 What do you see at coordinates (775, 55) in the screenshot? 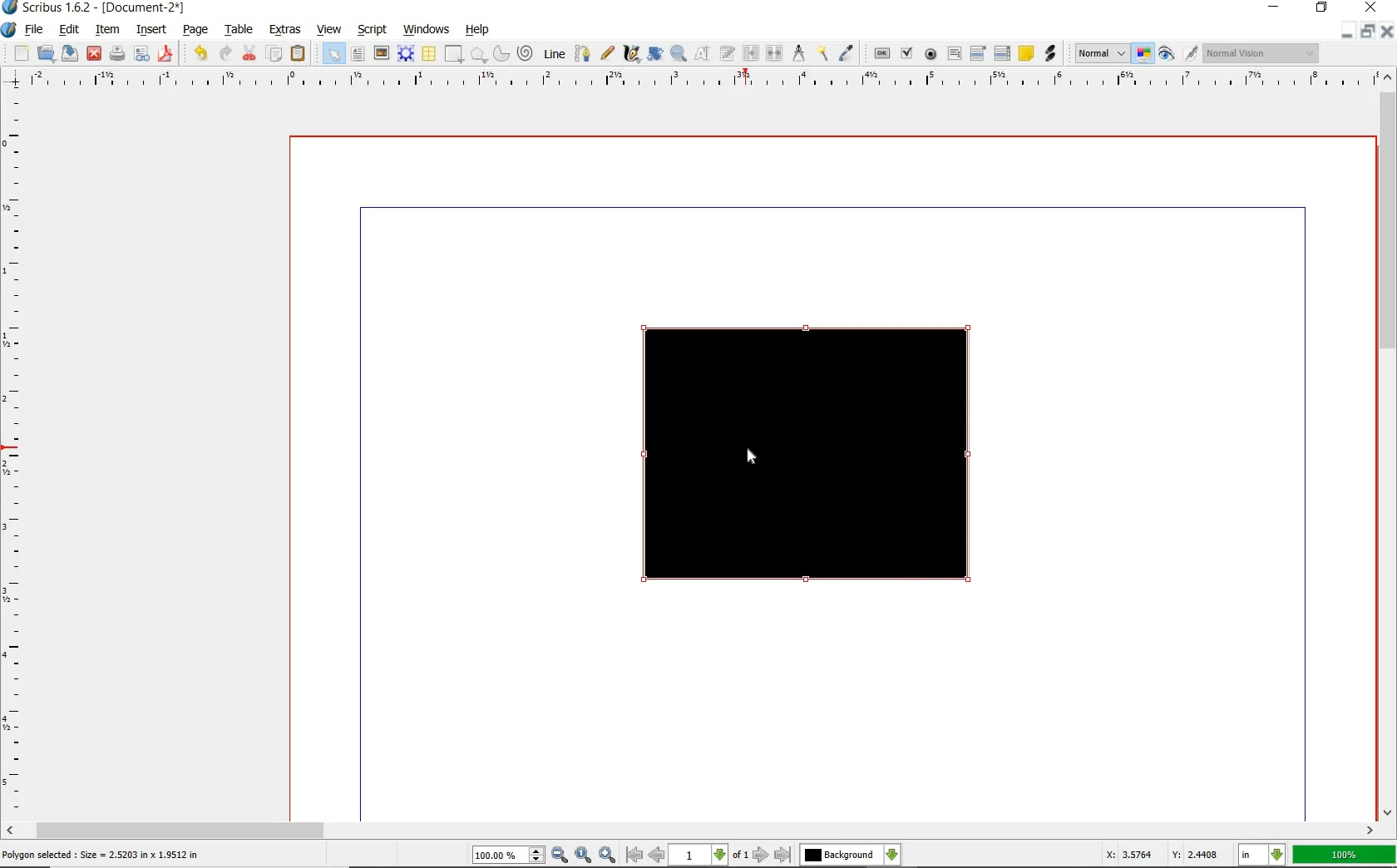
I see `unlink text frames` at bounding box center [775, 55].